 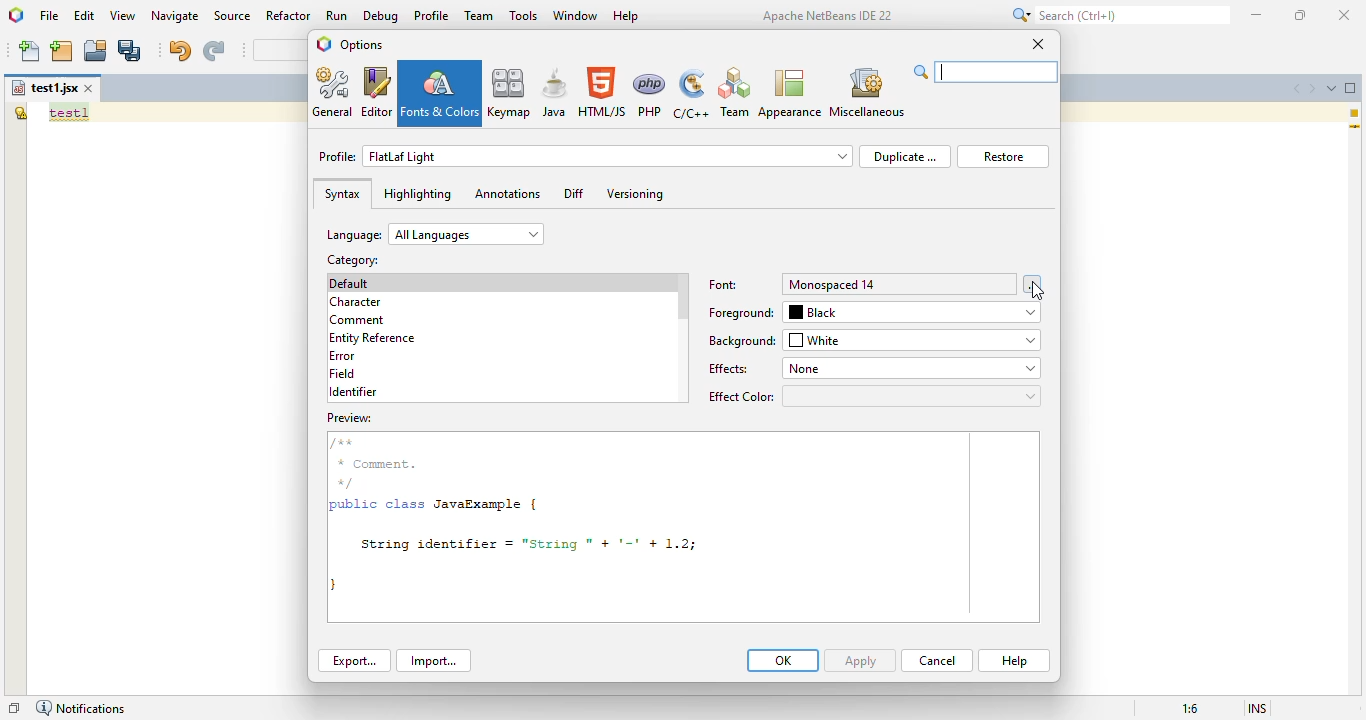 I want to click on import, so click(x=435, y=661).